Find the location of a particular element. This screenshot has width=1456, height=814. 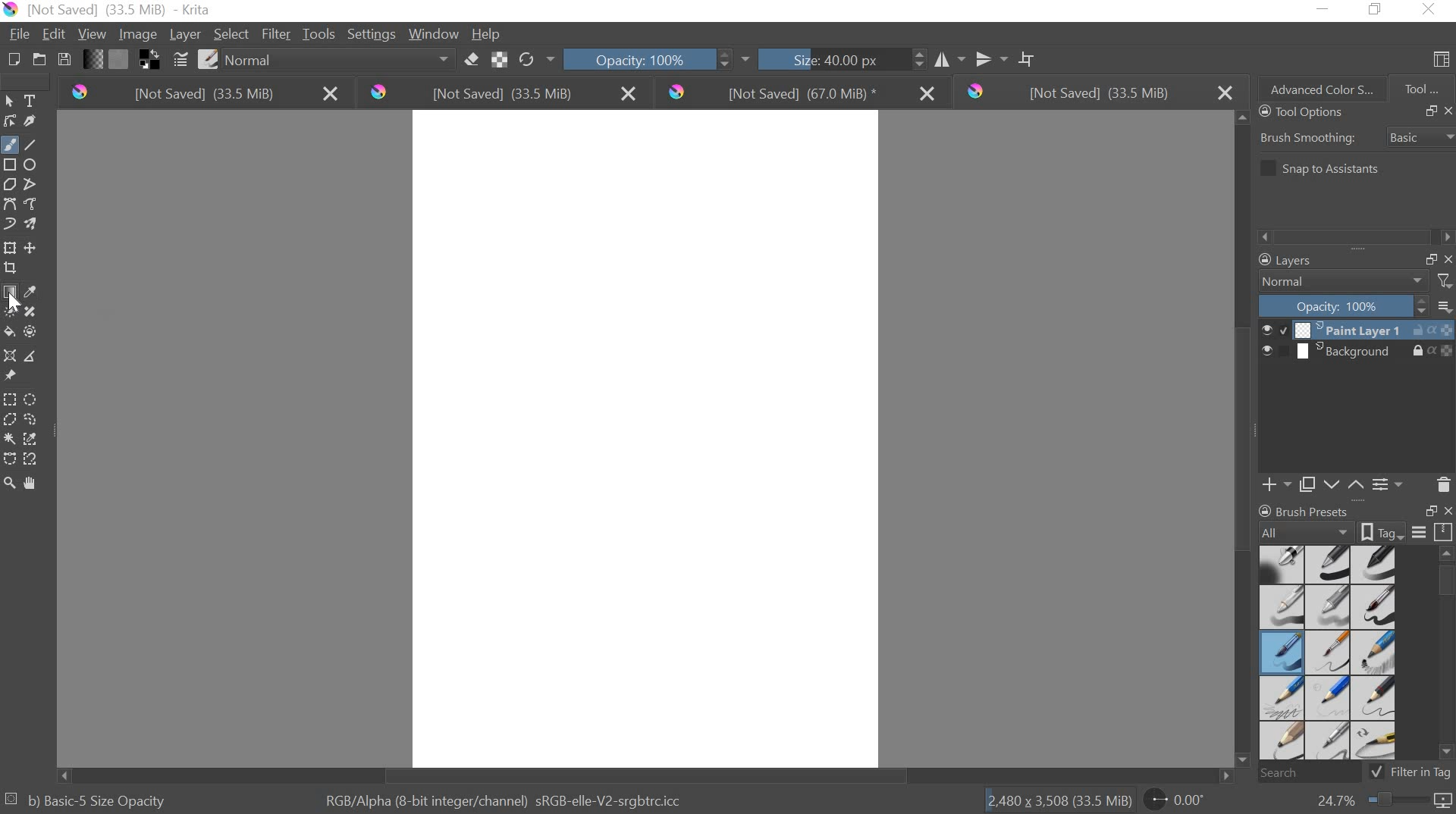

DELETE LAYER OR MASK is located at coordinates (1443, 484).